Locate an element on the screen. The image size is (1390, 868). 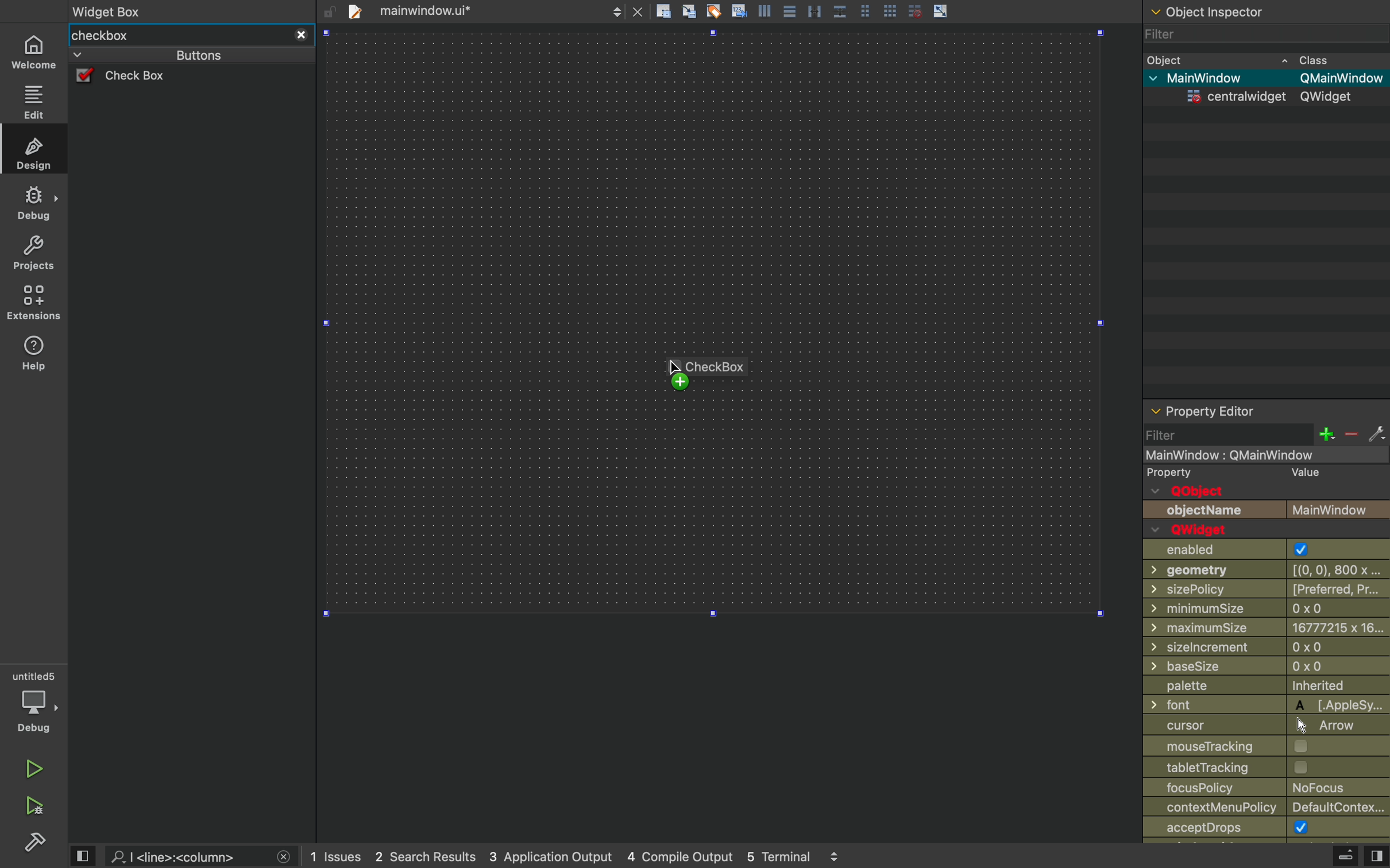
palette is located at coordinates (1265, 687).